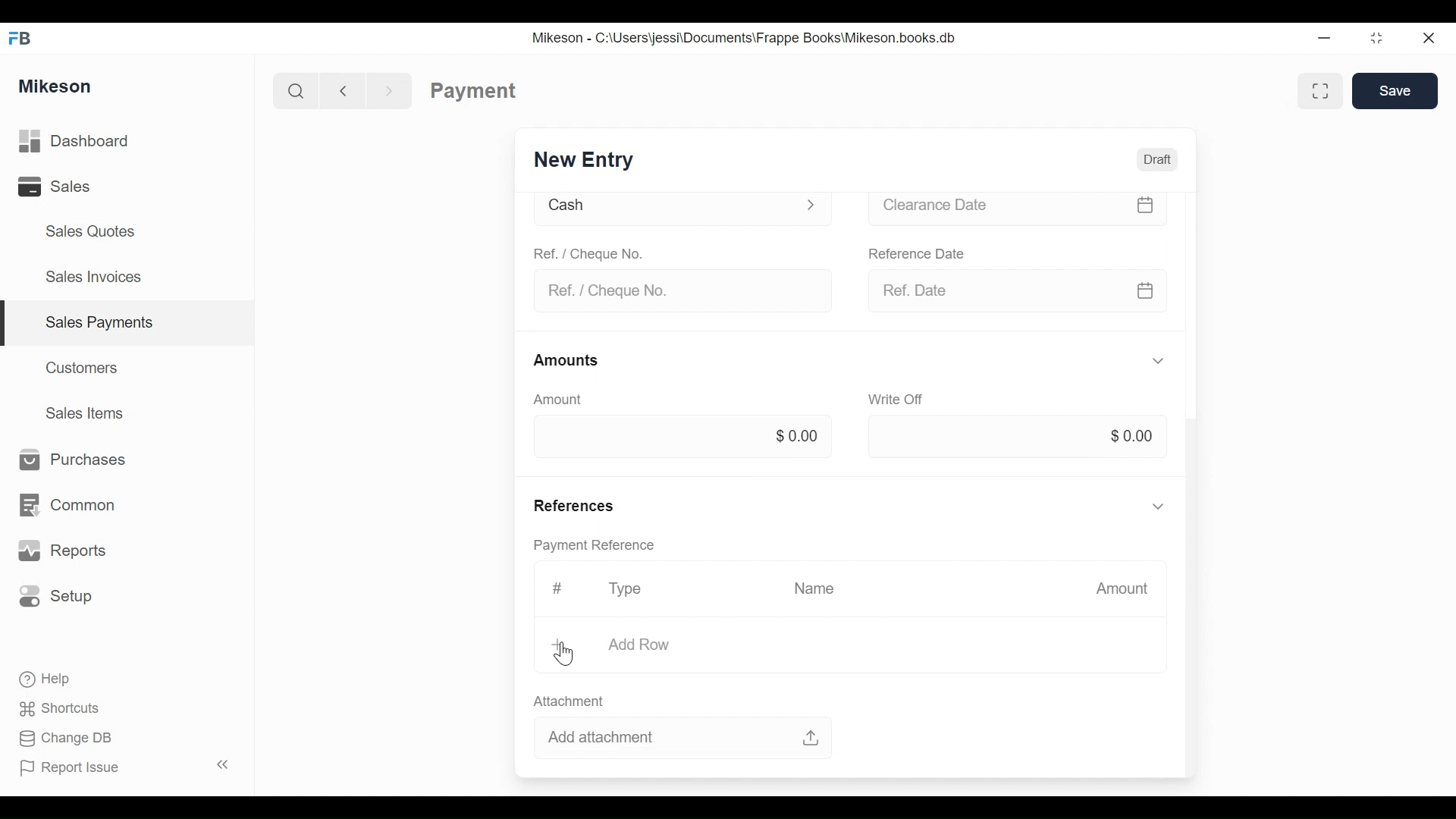 Image resolution: width=1456 pixels, height=819 pixels. I want to click on Reference date, so click(918, 253).